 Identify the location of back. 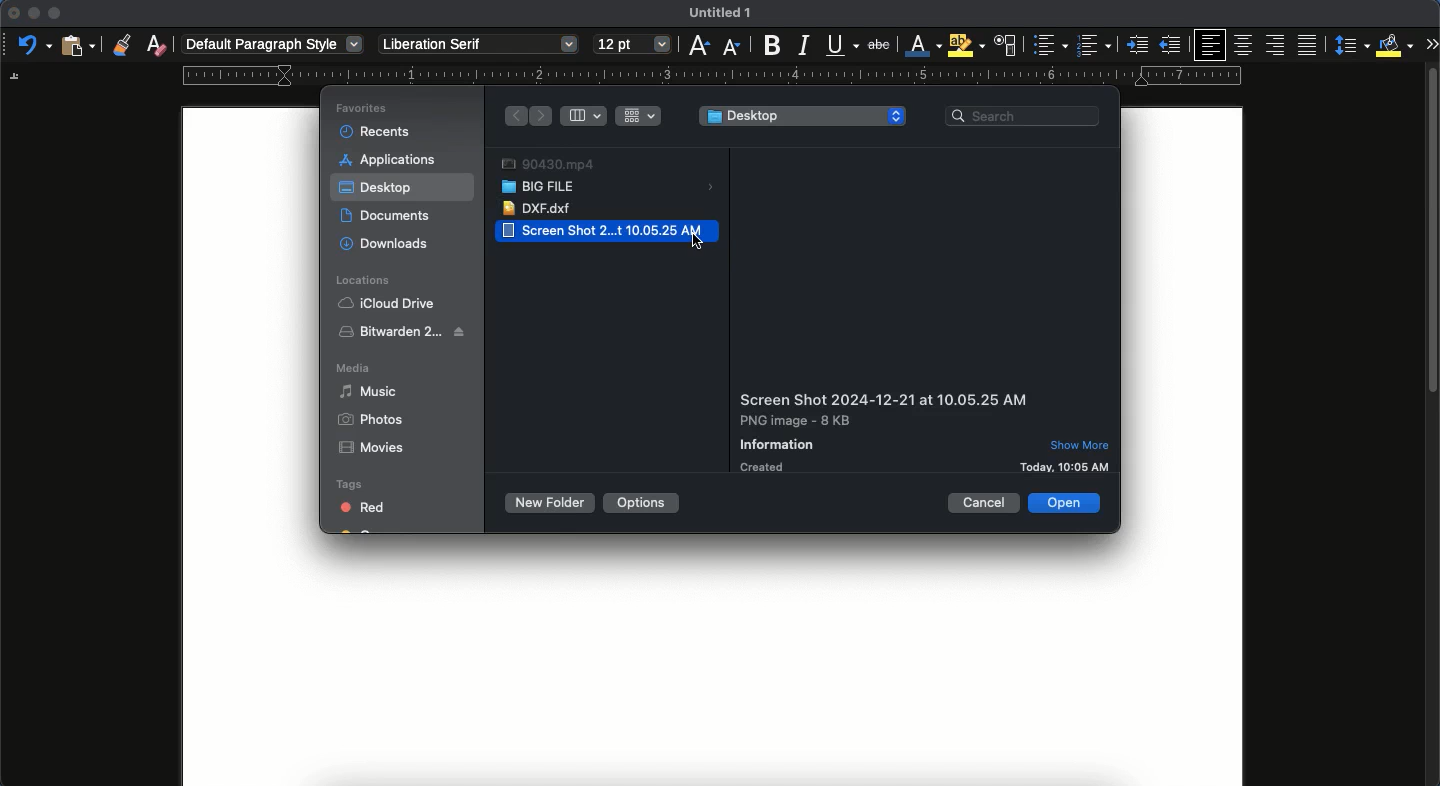
(515, 115).